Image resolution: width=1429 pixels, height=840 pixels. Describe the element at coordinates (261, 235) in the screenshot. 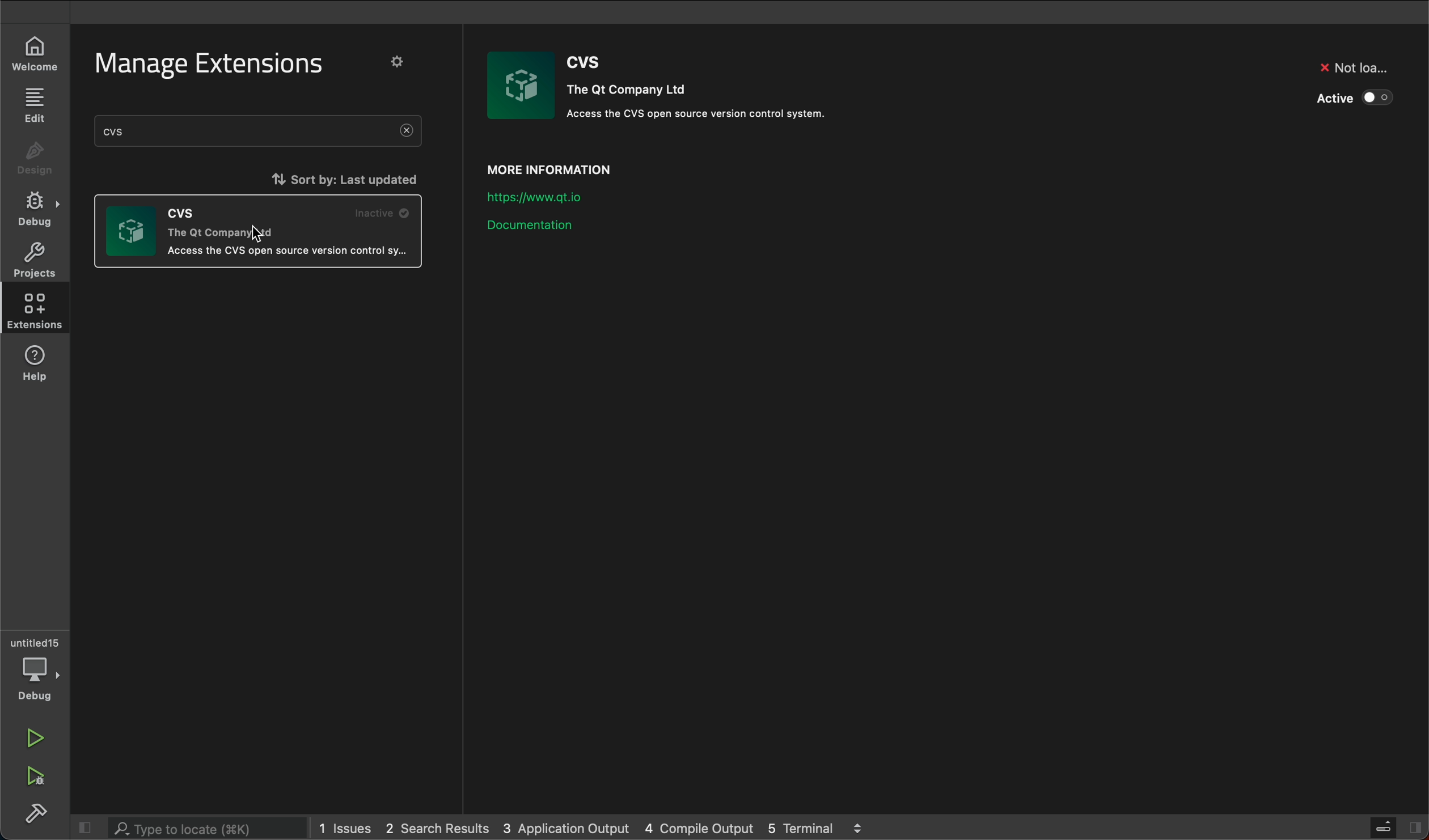

I see `cursor` at that location.